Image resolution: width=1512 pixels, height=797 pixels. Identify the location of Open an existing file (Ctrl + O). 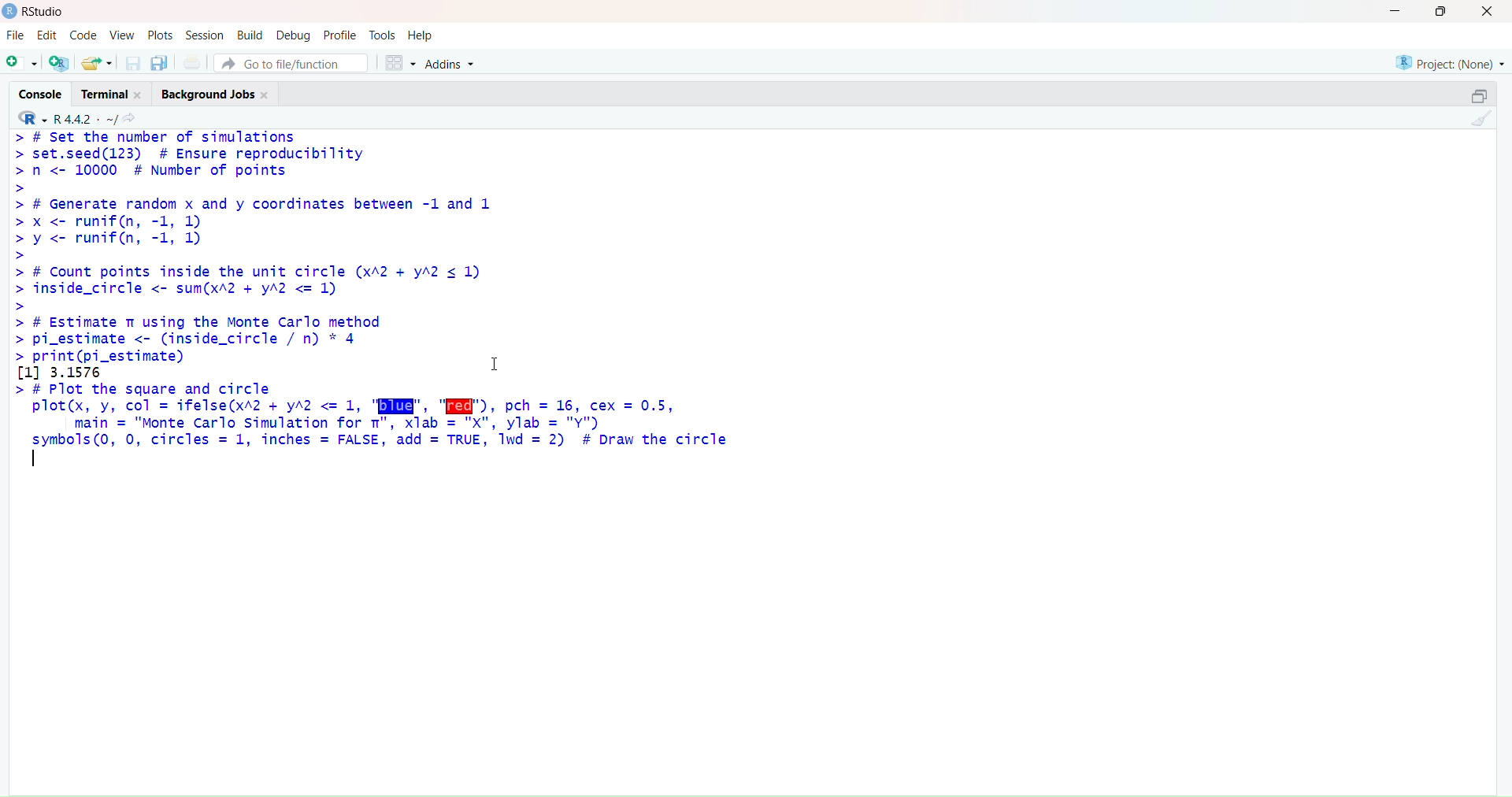
(98, 61).